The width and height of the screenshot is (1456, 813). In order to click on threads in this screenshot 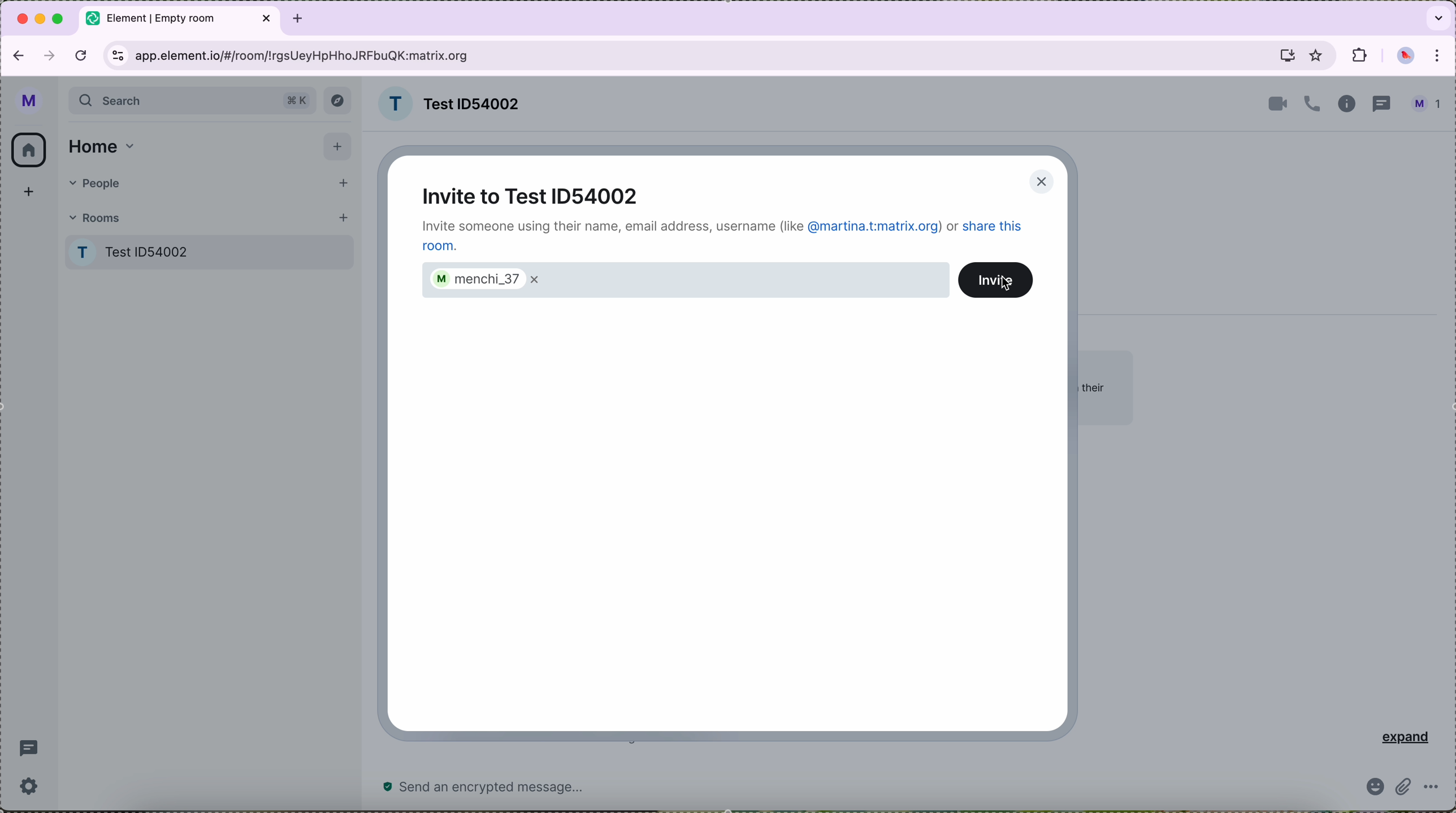, I will do `click(32, 747)`.